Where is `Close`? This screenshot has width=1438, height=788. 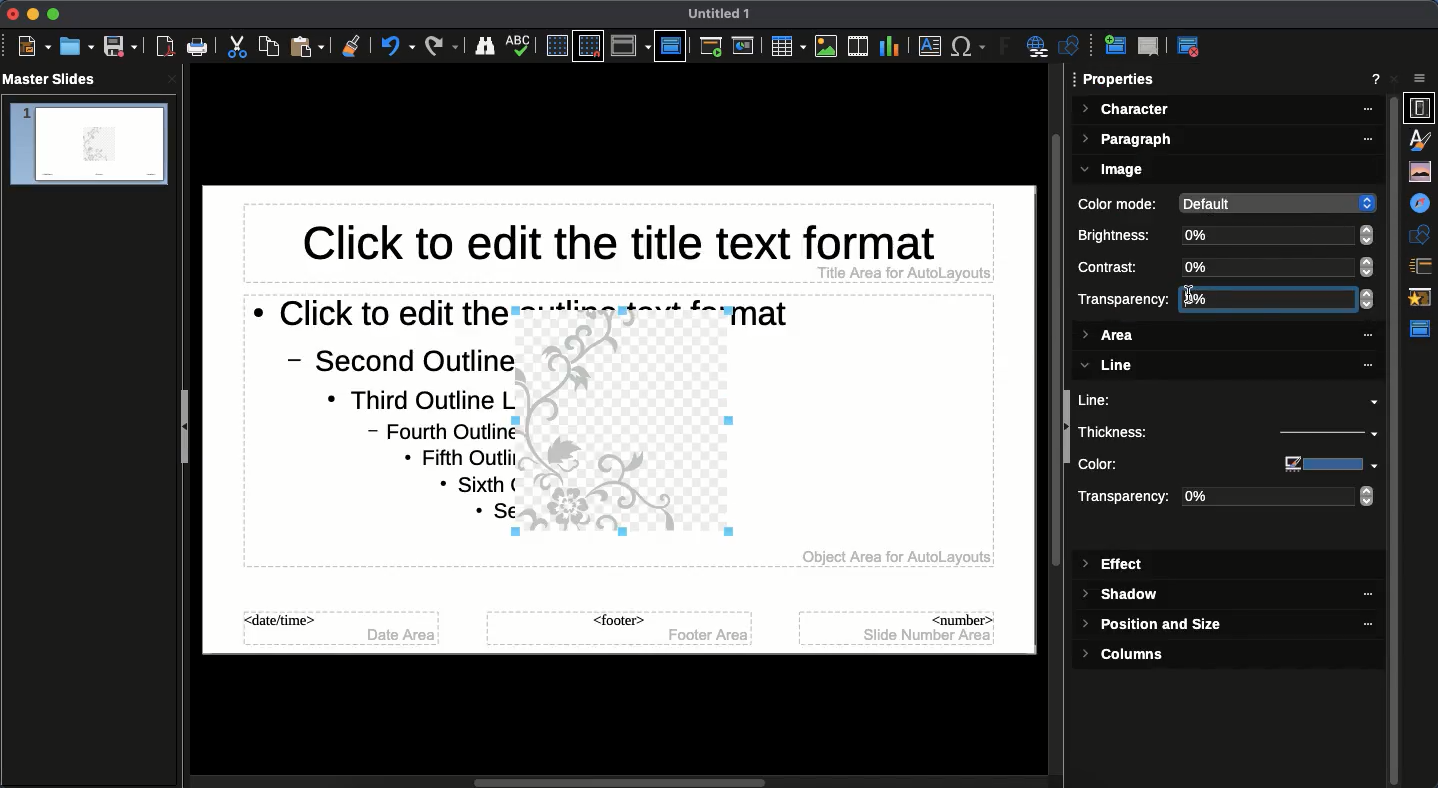 Close is located at coordinates (1398, 79).